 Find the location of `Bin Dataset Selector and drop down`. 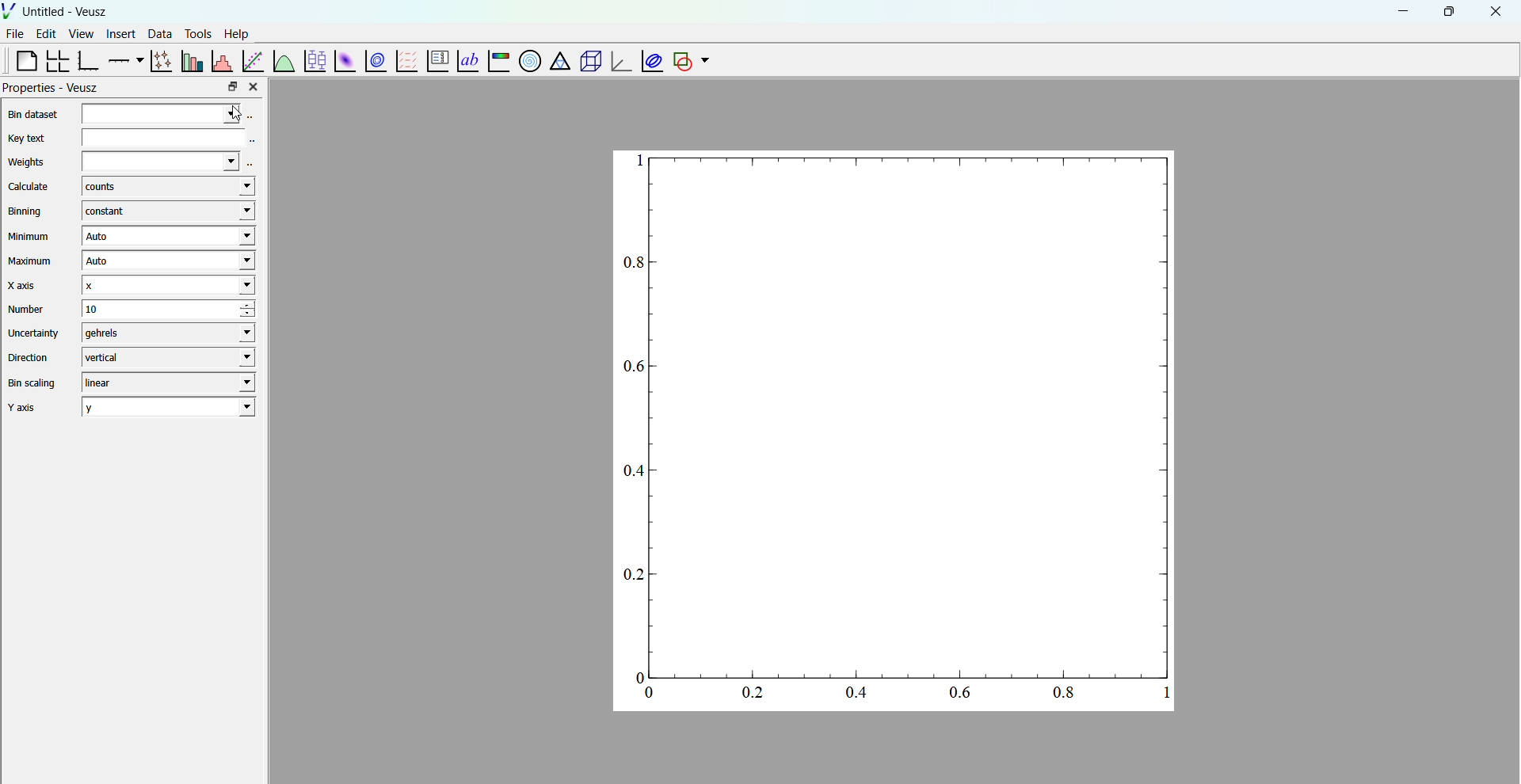

Bin Dataset Selector and drop down is located at coordinates (166, 114).